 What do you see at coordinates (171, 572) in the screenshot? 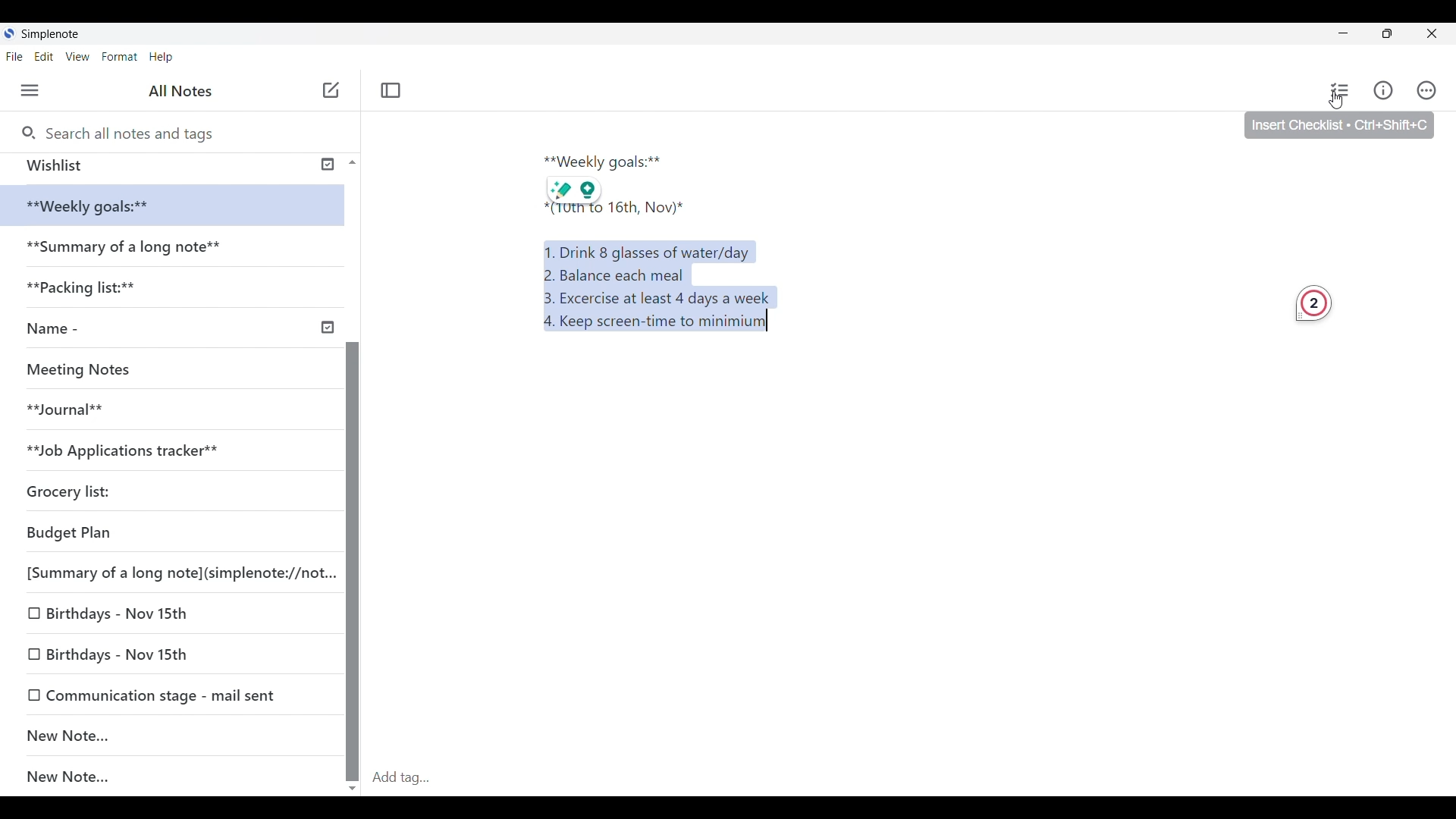
I see `[Summary of a long note](simplenote://not.` at bounding box center [171, 572].